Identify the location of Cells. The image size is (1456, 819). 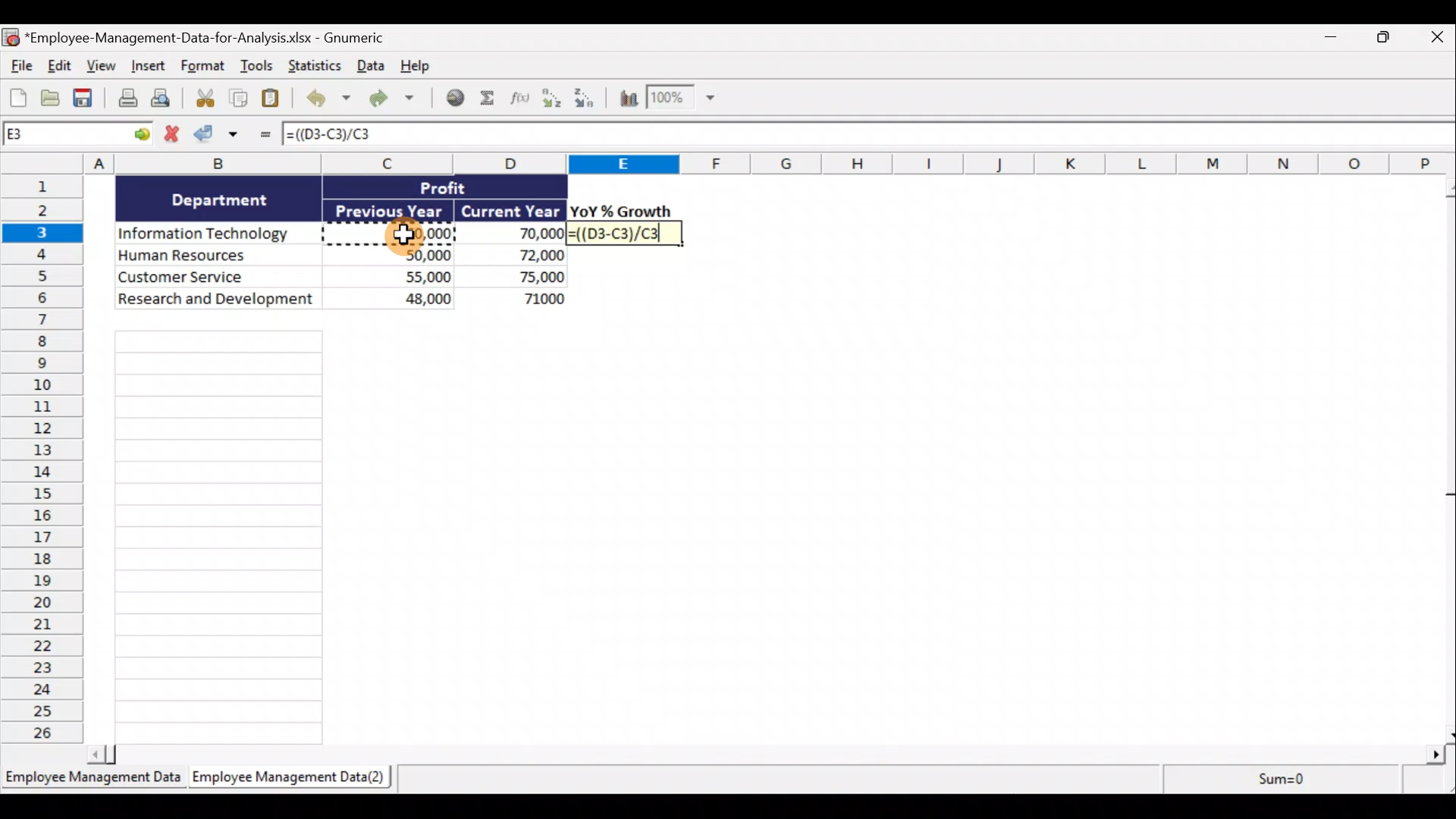
(220, 537).